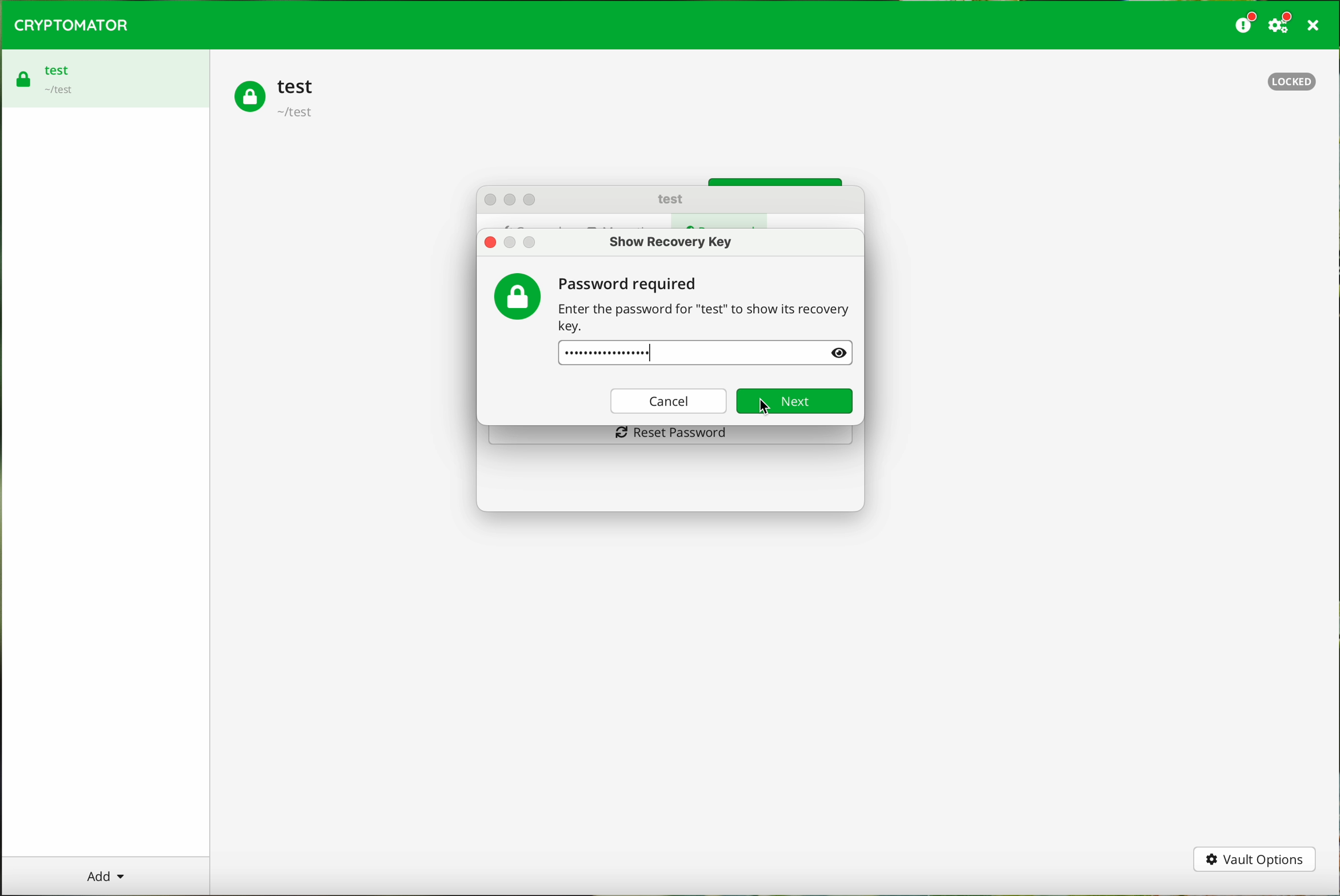  What do you see at coordinates (518, 293) in the screenshot?
I see `password icon` at bounding box center [518, 293].